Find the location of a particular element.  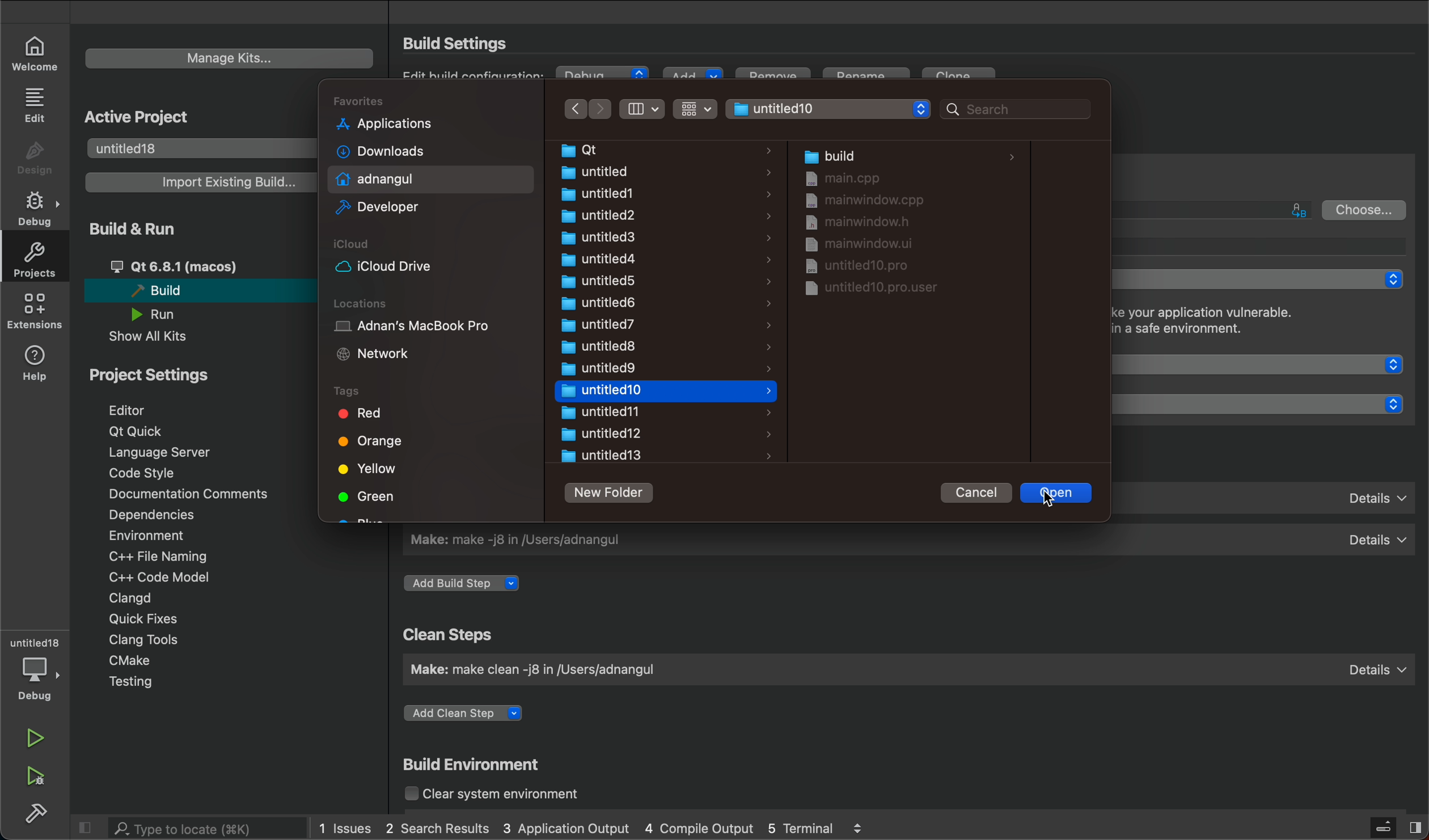

untitled9 is located at coordinates (657, 368).